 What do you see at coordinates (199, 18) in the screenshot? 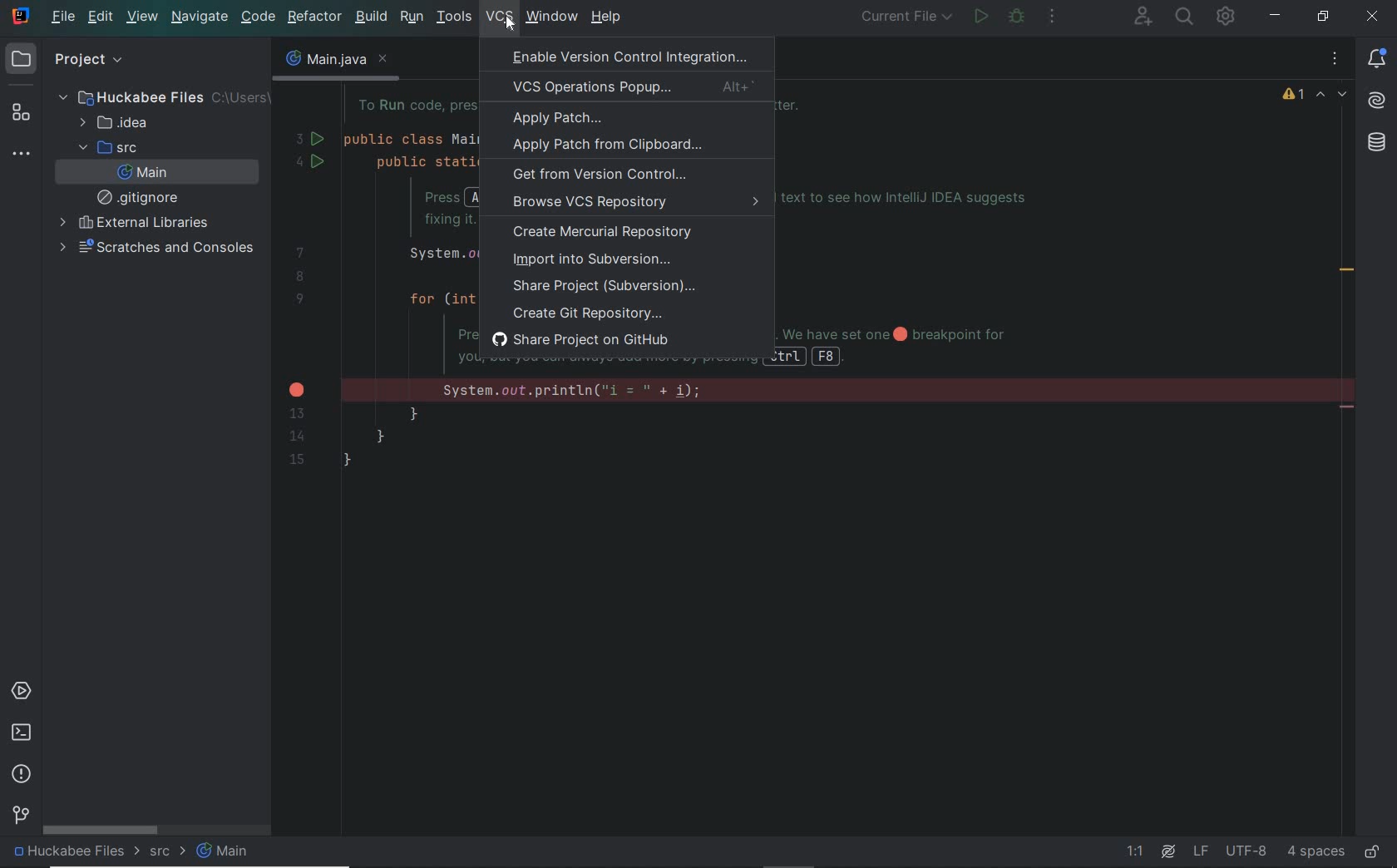
I see `navigate` at bounding box center [199, 18].